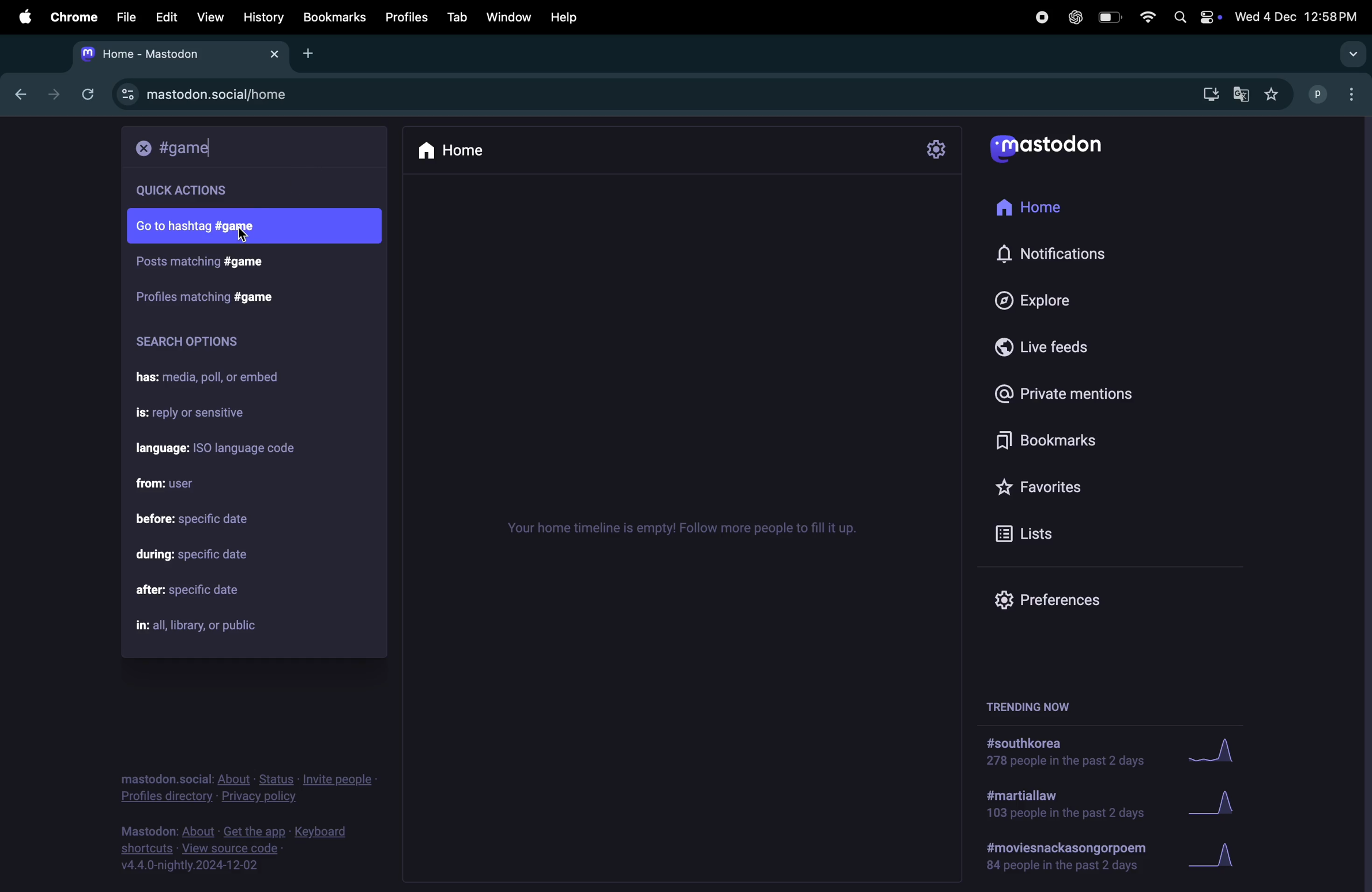 The width and height of the screenshot is (1372, 892). Describe the element at coordinates (18, 95) in the screenshot. I see `go back` at that location.